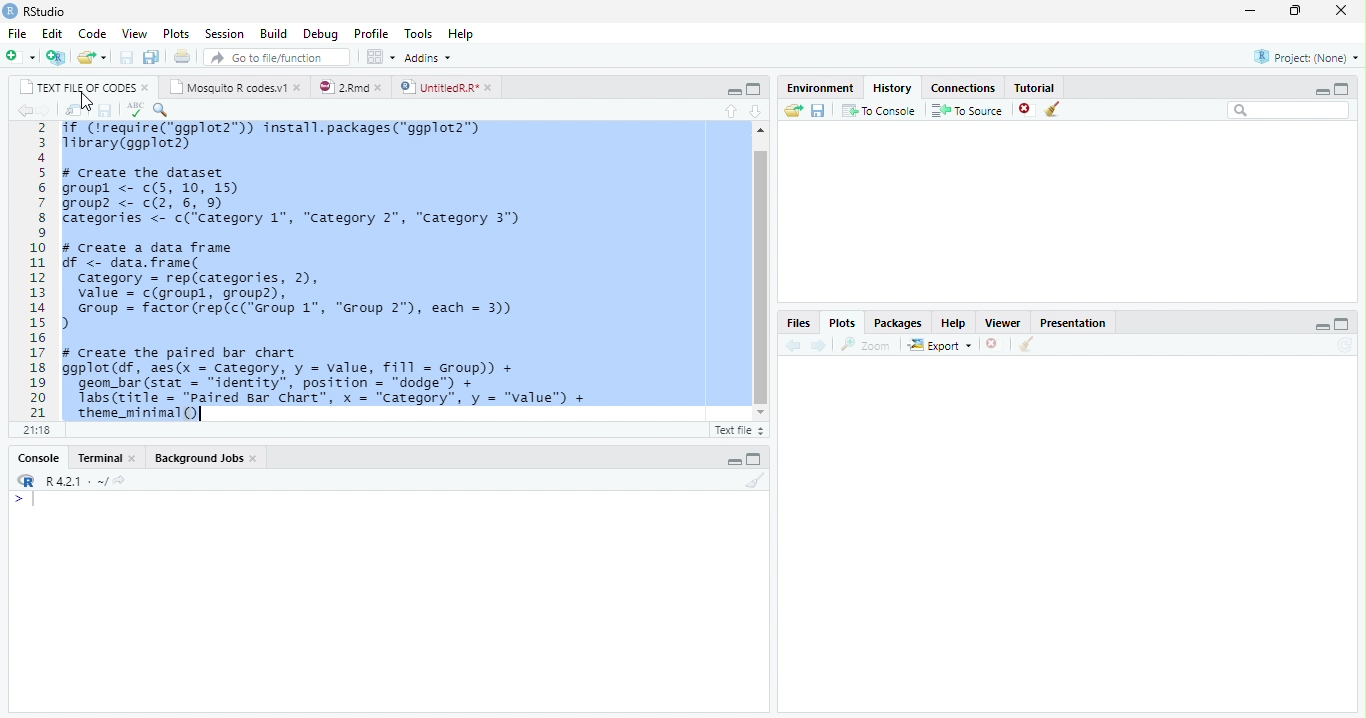 This screenshot has width=1366, height=718. Describe the element at coordinates (380, 88) in the screenshot. I see `close` at that location.